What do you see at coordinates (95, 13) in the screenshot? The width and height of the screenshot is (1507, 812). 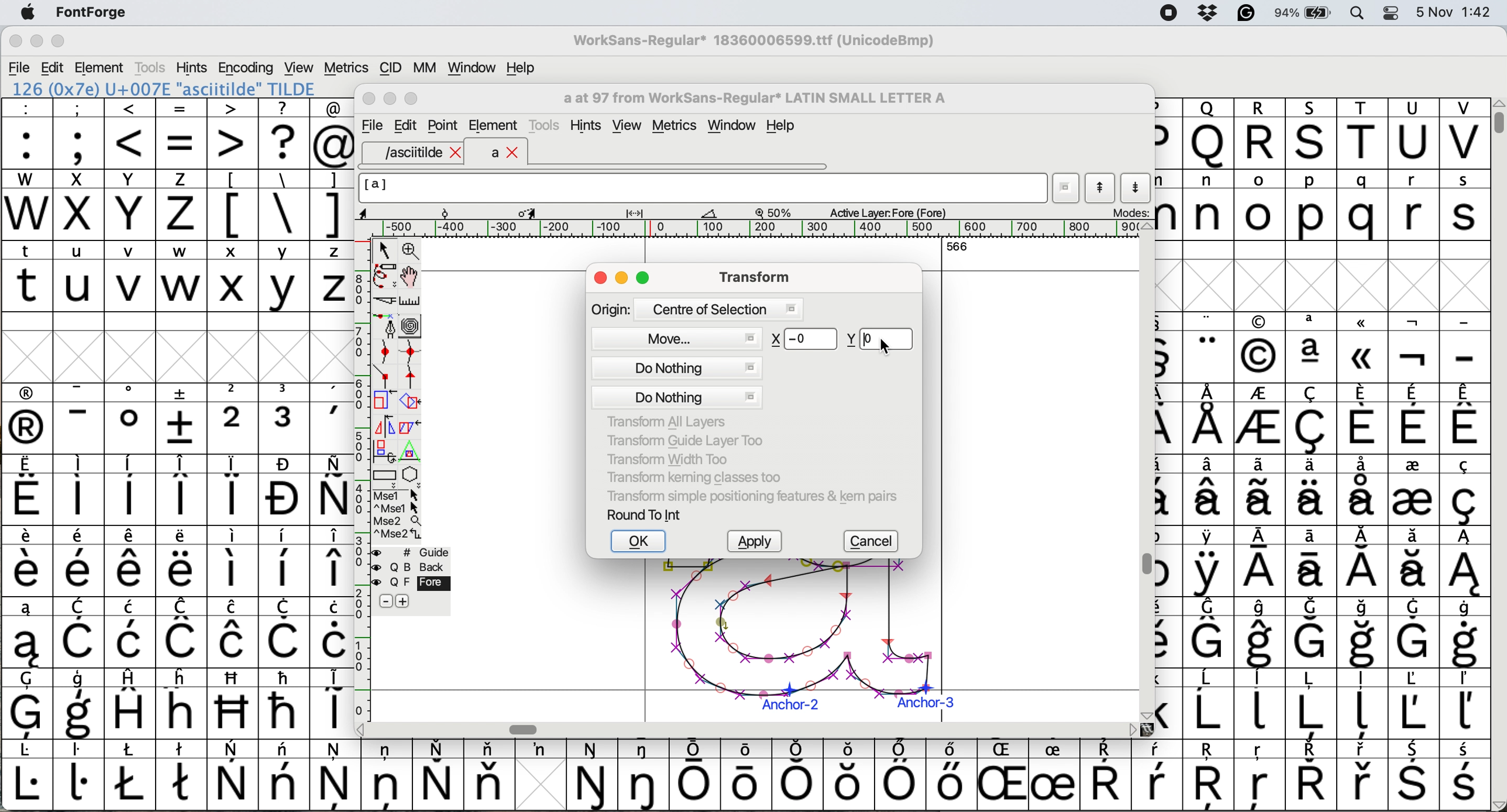 I see `fontforge` at bounding box center [95, 13].